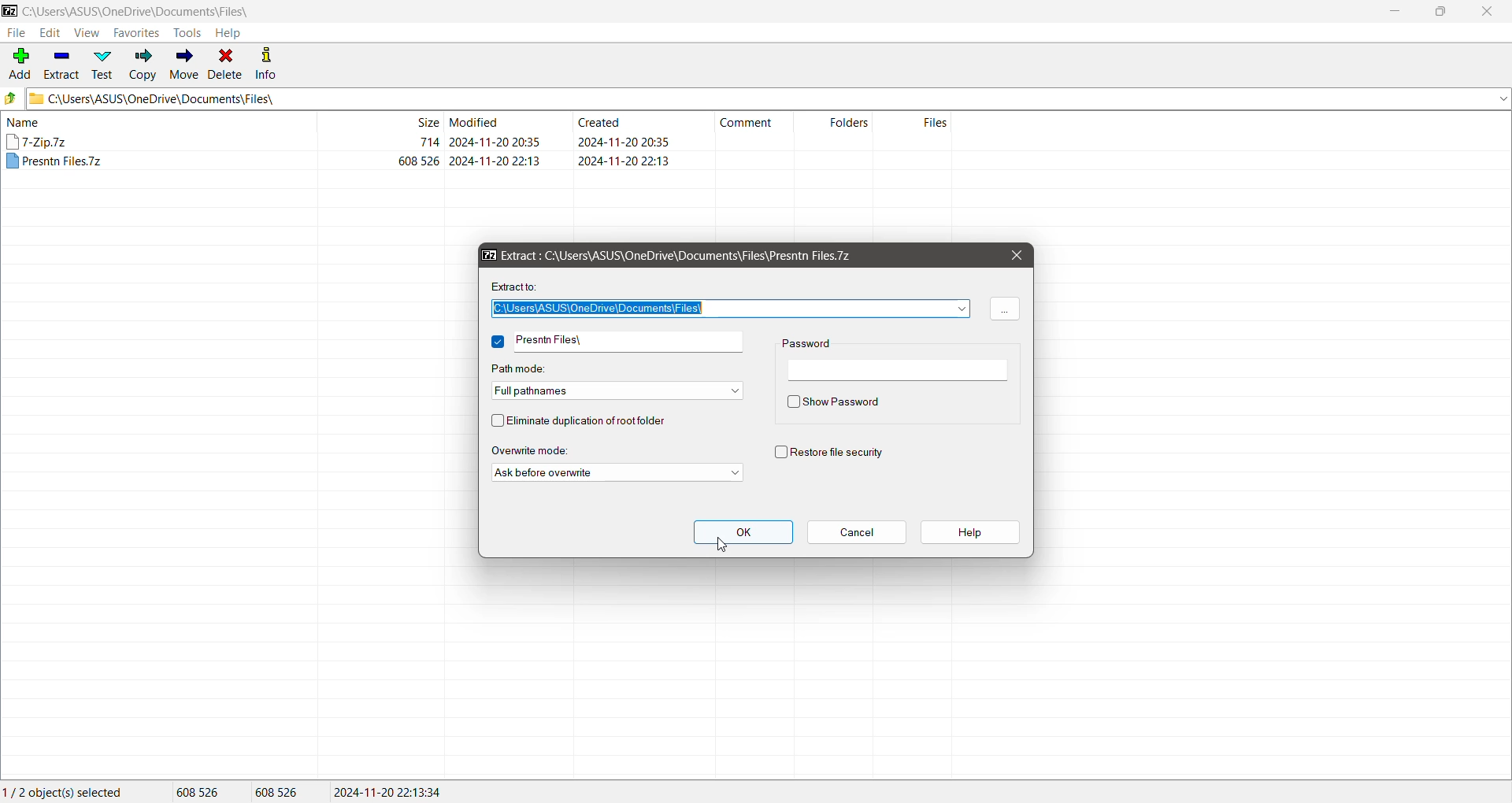 The height and width of the screenshot is (803, 1512). What do you see at coordinates (230, 32) in the screenshot?
I see `Help` at bounding box center [230, 32].